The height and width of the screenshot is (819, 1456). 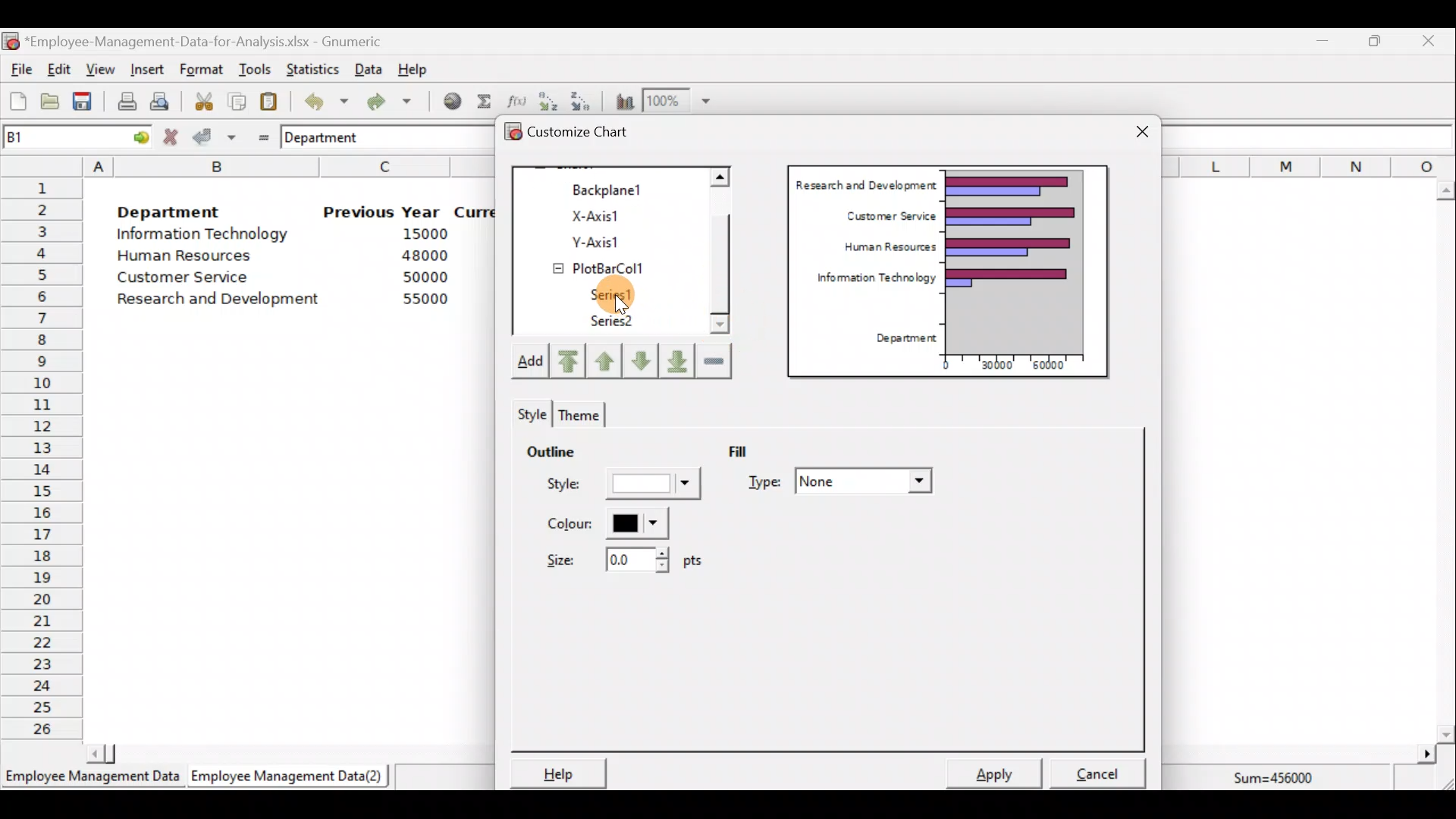 What do you see at coordinates (135, 135) in the screenshot?
I see `go to` at bounding box center [135, 135].